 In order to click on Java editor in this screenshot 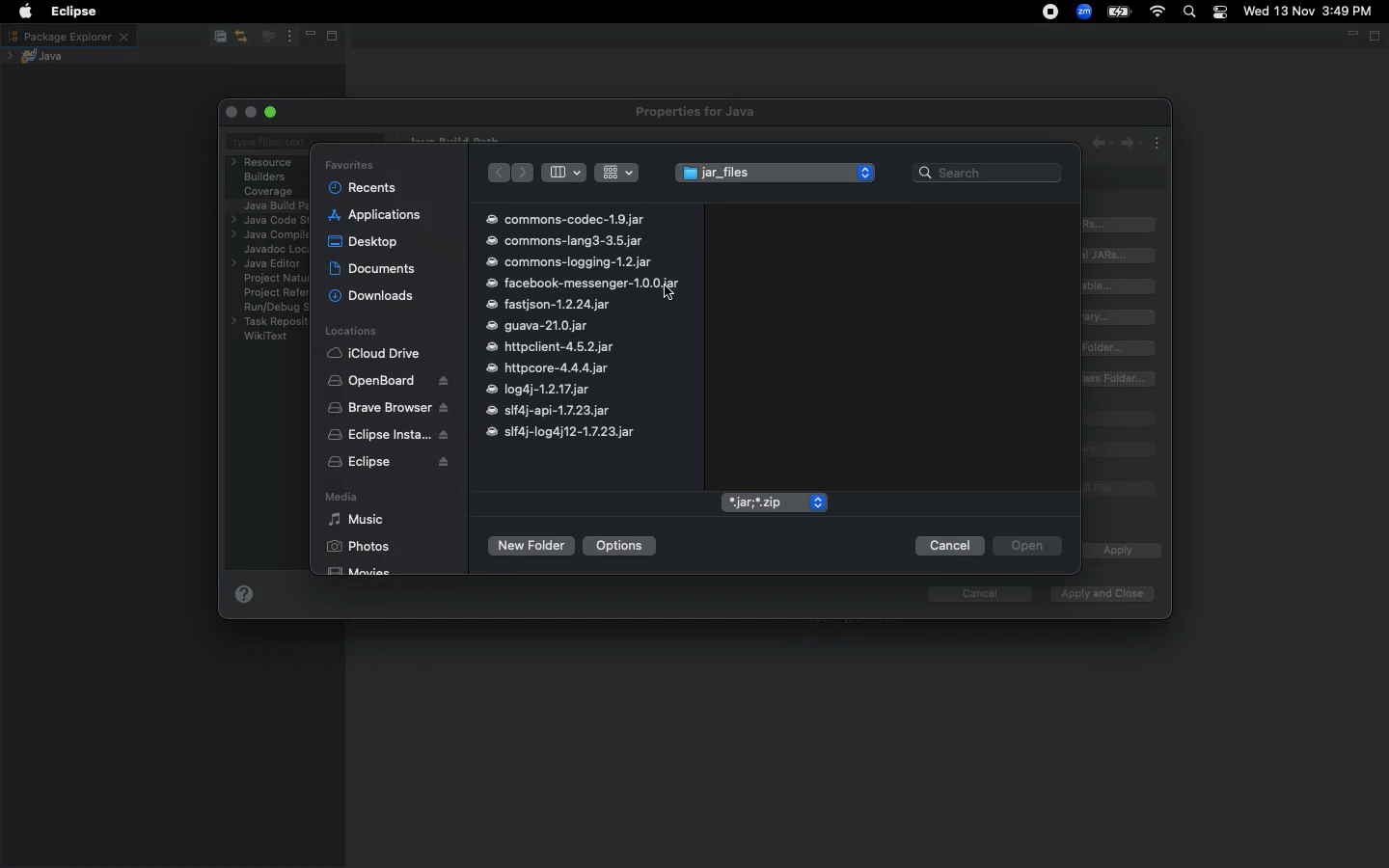, I will do `click(269, 264)`.